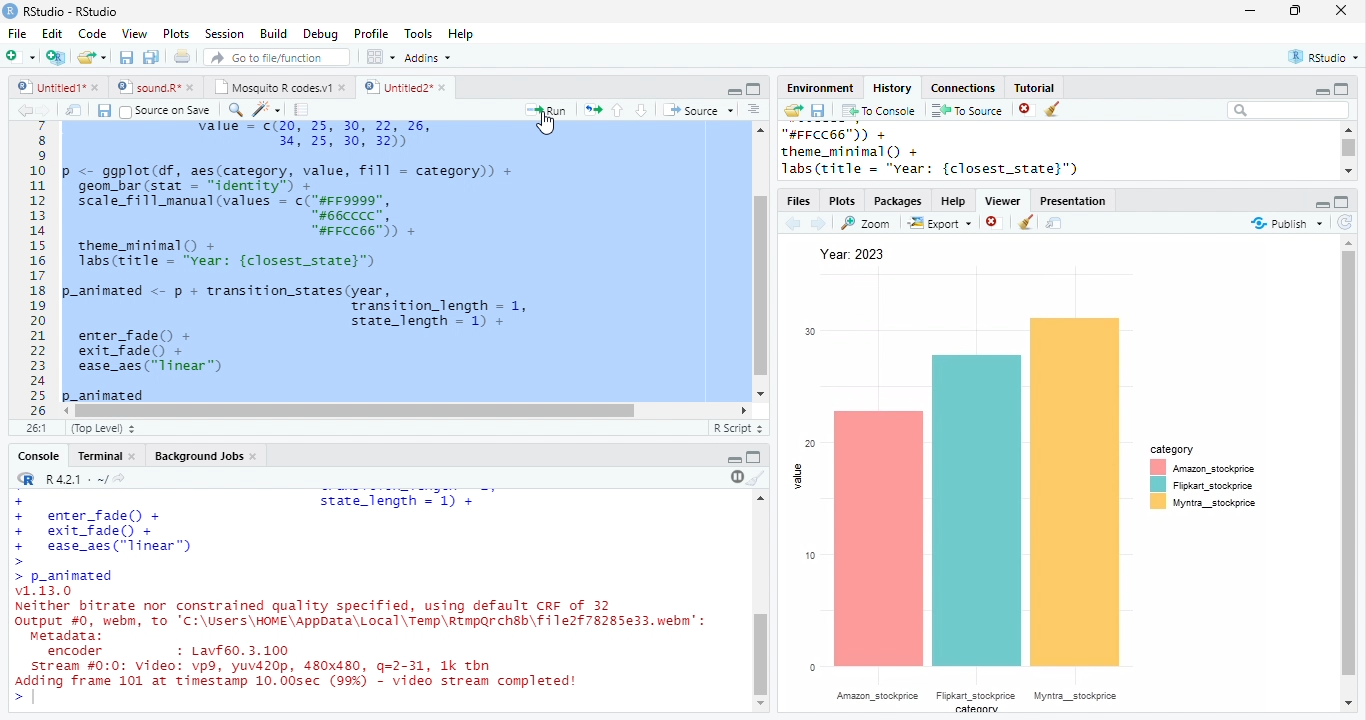  I want to click on rerun, so click(594, 109).